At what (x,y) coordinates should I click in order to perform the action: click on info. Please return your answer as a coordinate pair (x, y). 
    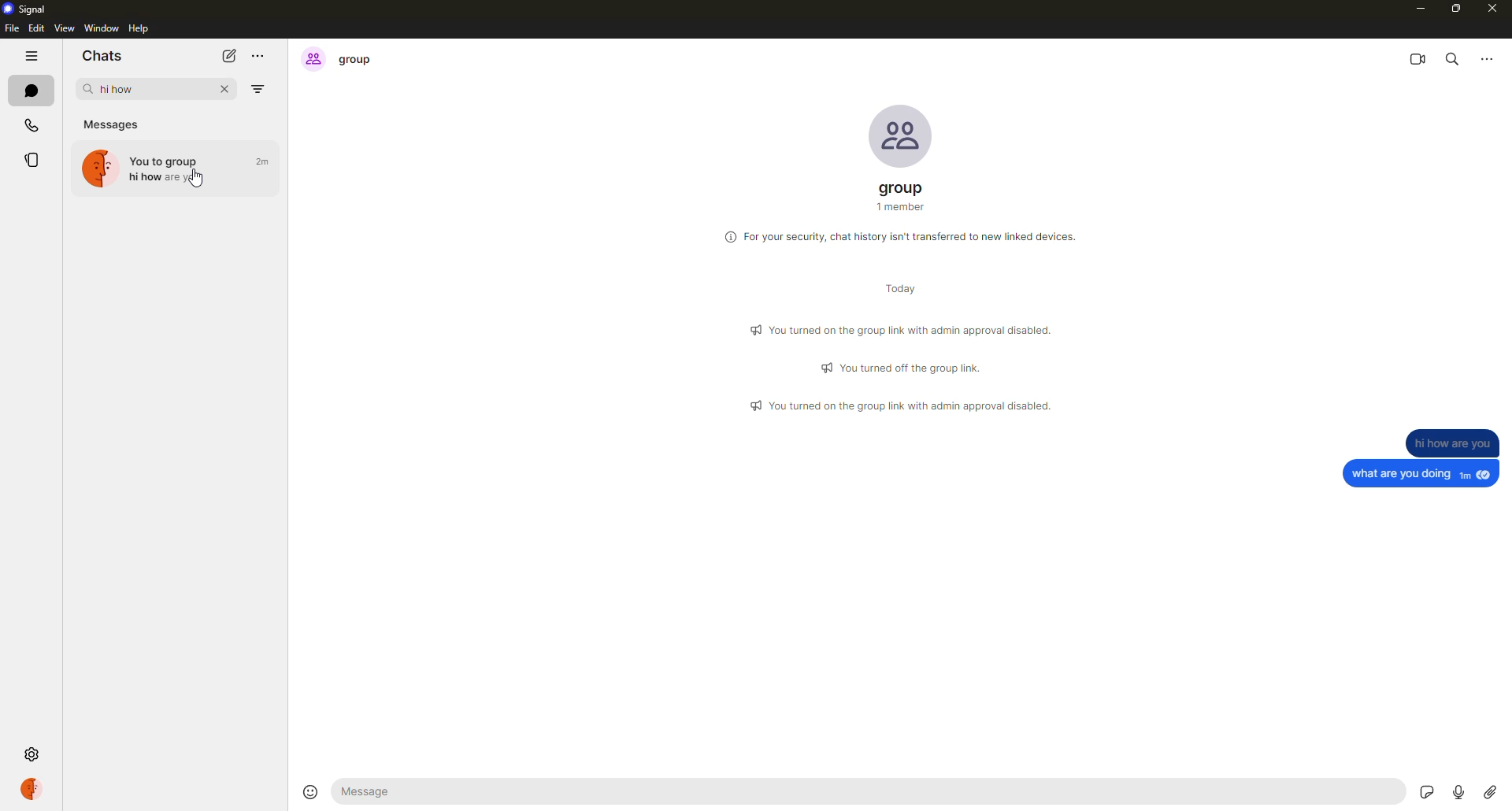
    Looking at the image, I should click on (903, 235).